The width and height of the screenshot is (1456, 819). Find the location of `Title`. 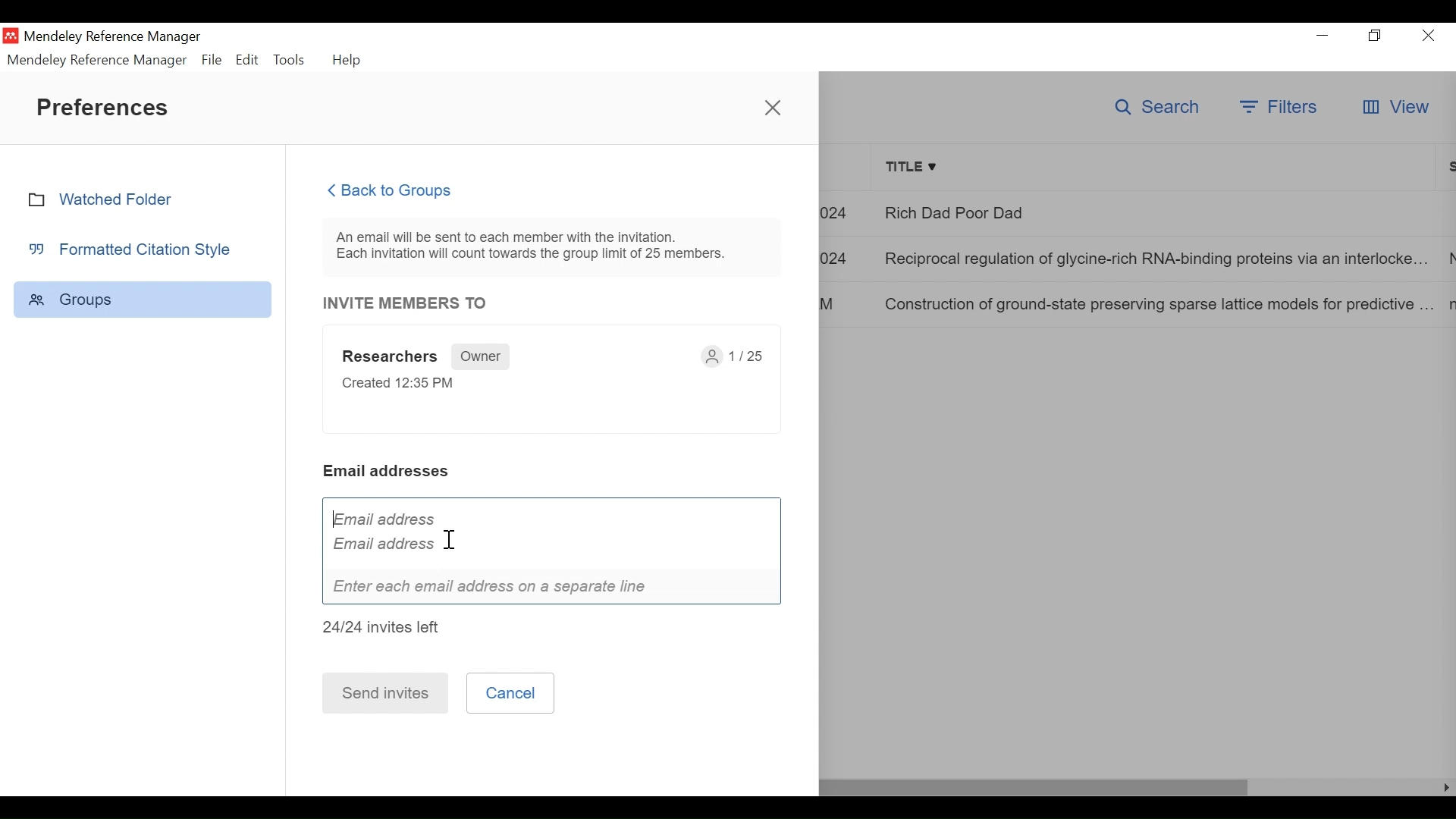

Title is located at coordinates (1156, 168).